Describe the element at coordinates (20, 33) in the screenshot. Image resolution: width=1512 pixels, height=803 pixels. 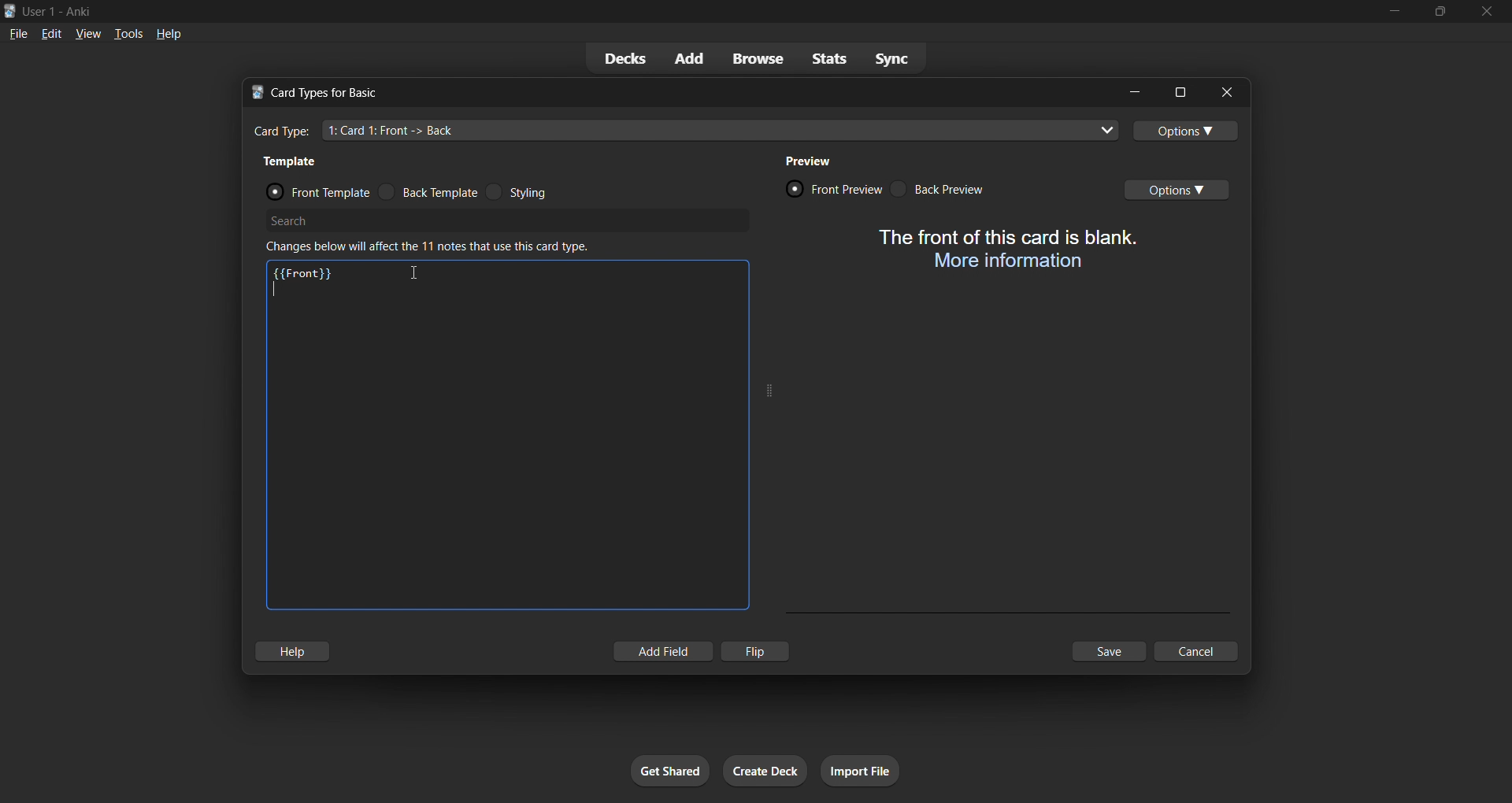
I see `file` at that location.